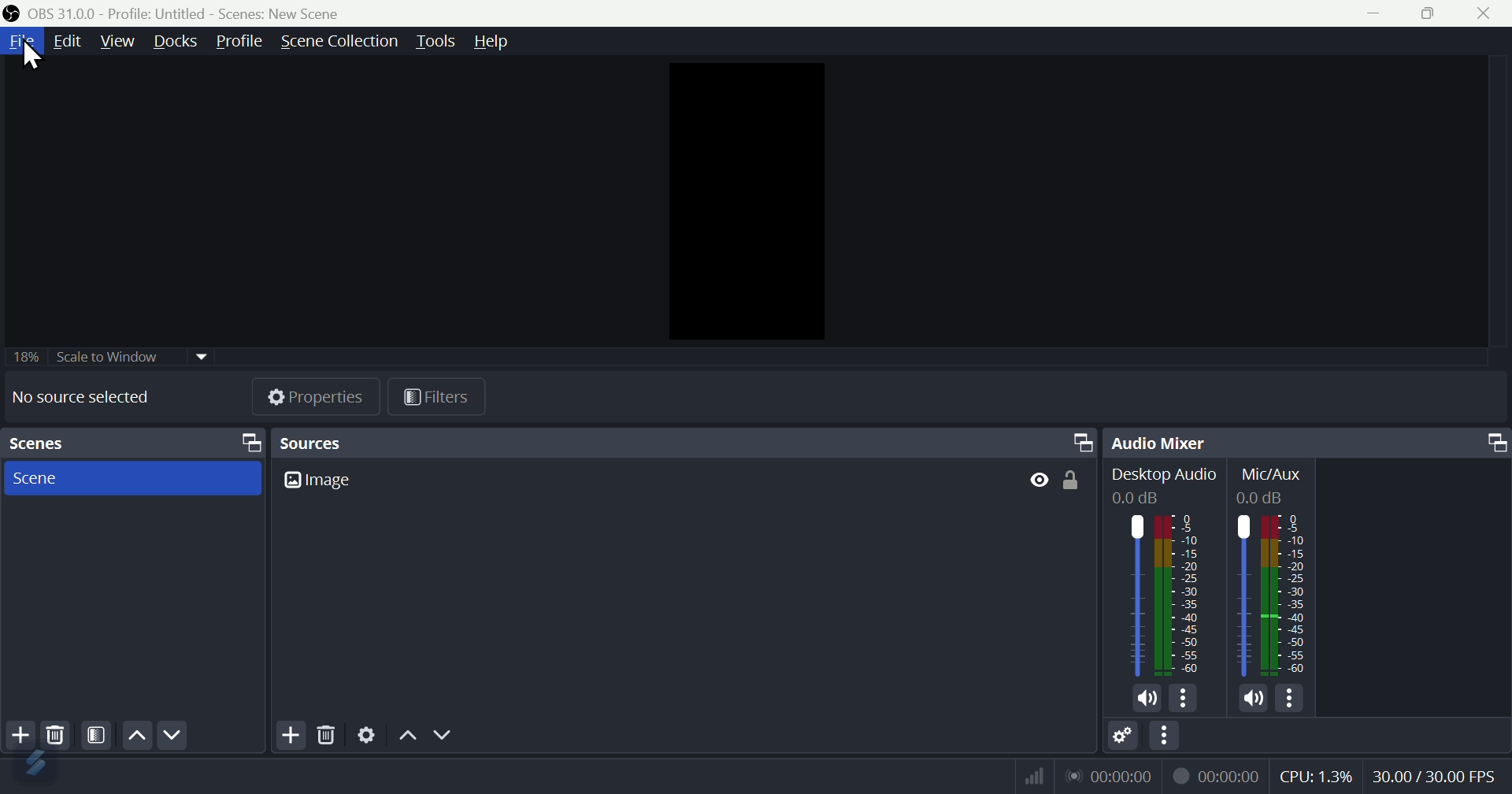 Image resolution: width=1512 pixels, height=794 pixels. Describe the element at coordinates (1034, 778) in the screenshot. I see `network` at that location.